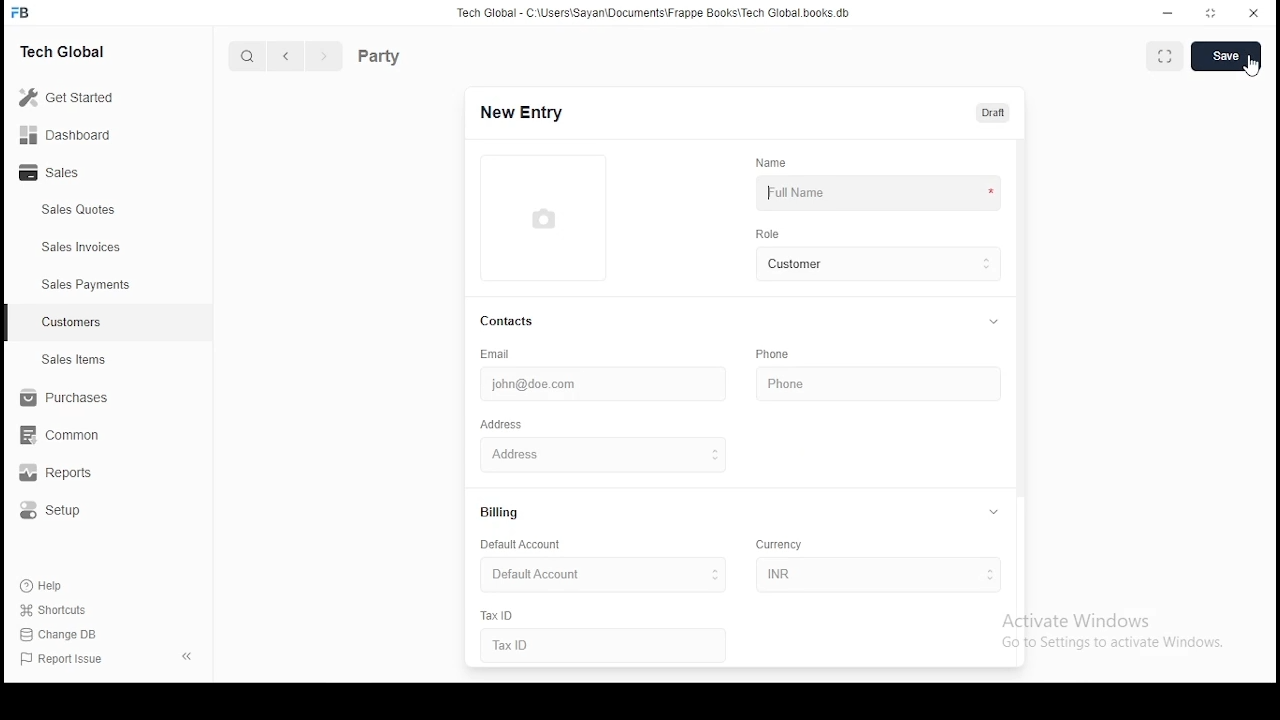 The height and width of the screenshot is (720, 1280). I want to click on john@doe.com, so click(583, 385).